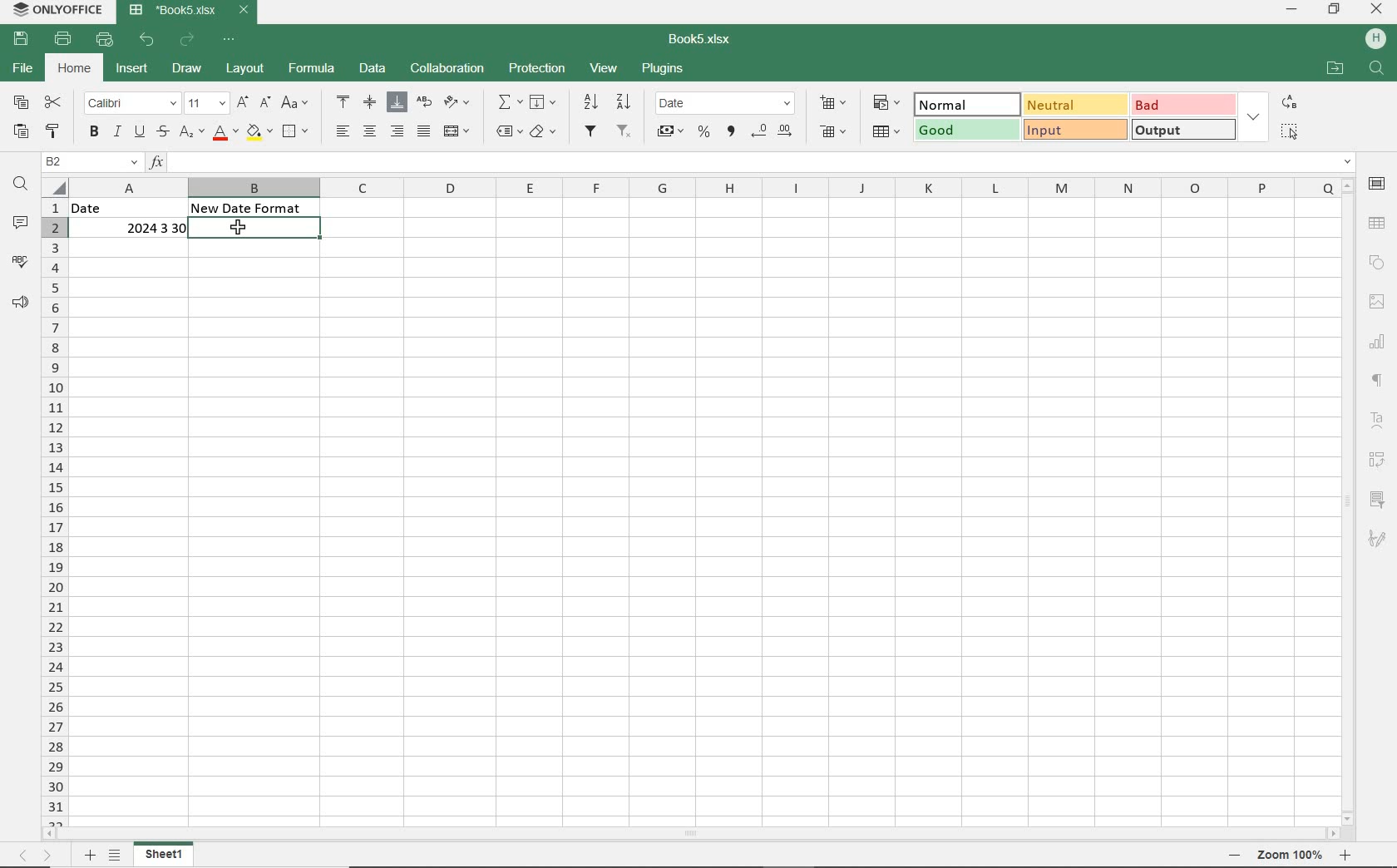 The width and height of the screenshot is (1397, 868). Describe the element at coordinates (140, 133) in the screenshot. I see `UNDERLINE` at that location.